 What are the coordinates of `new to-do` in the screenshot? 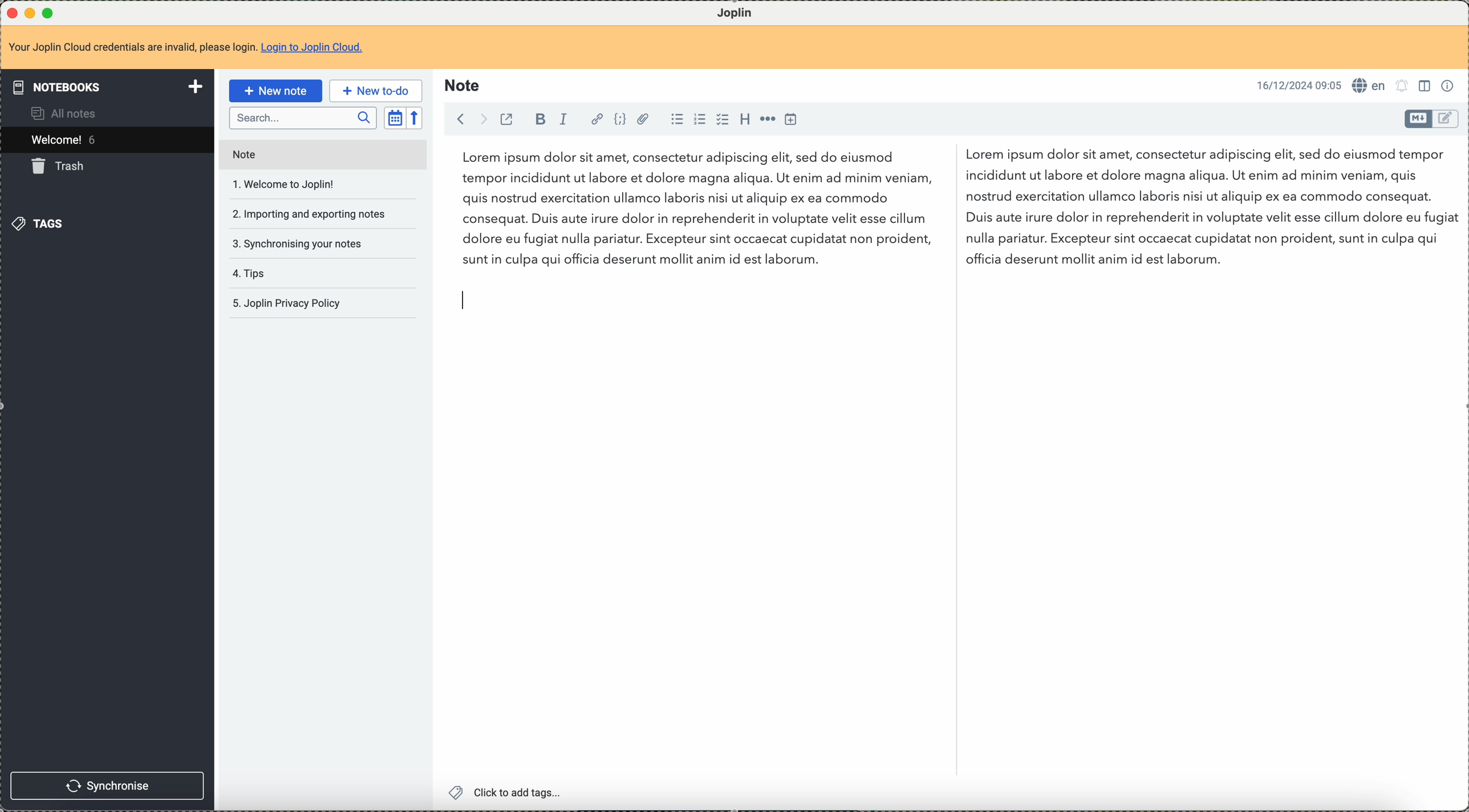 It's located at (375, 91).